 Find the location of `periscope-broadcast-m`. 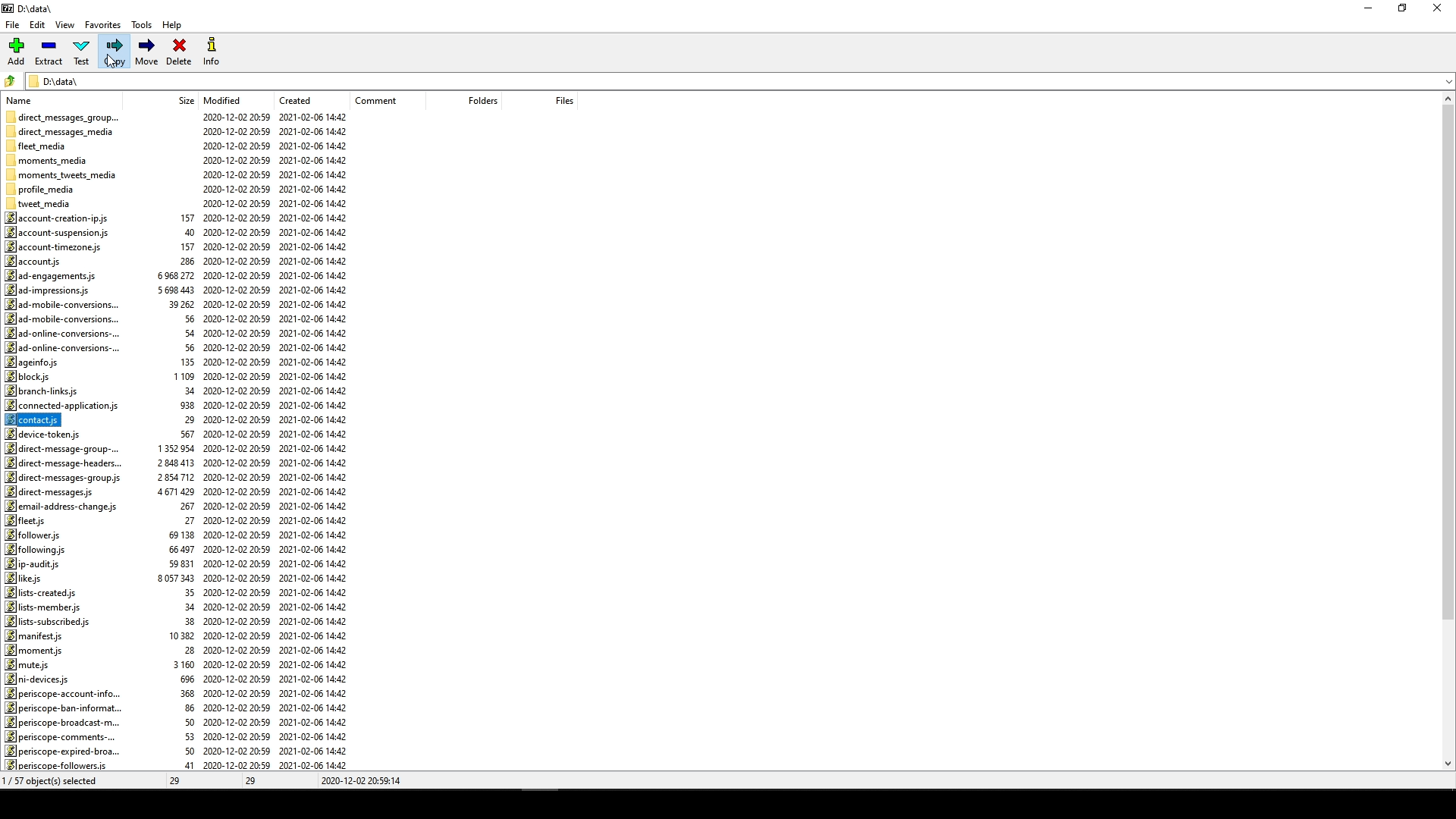

periscope-broadcast-m is located at coordinates (60, 723).